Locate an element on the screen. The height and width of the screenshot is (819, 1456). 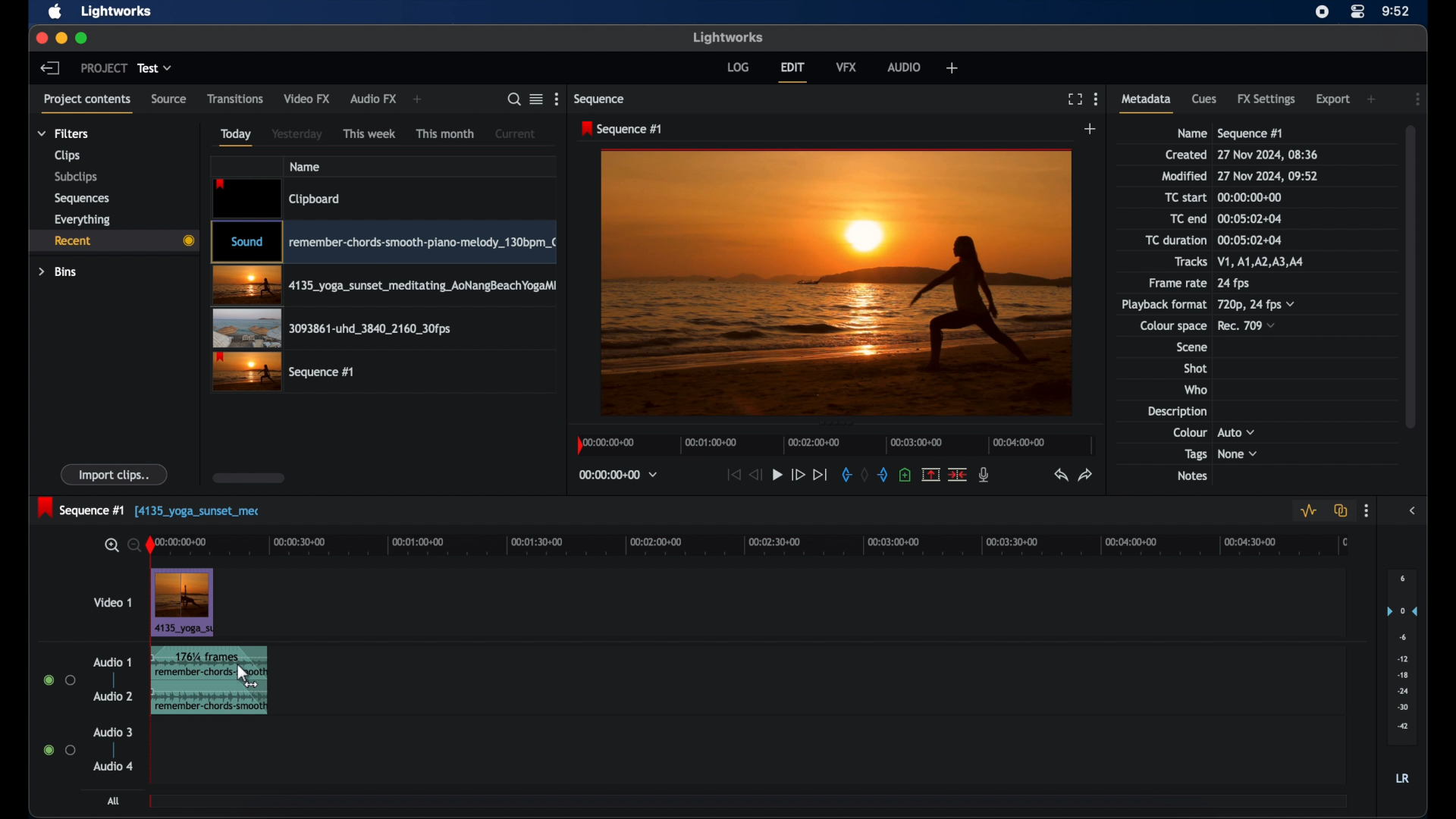
sidebar is located at coordinates (1412, 511).